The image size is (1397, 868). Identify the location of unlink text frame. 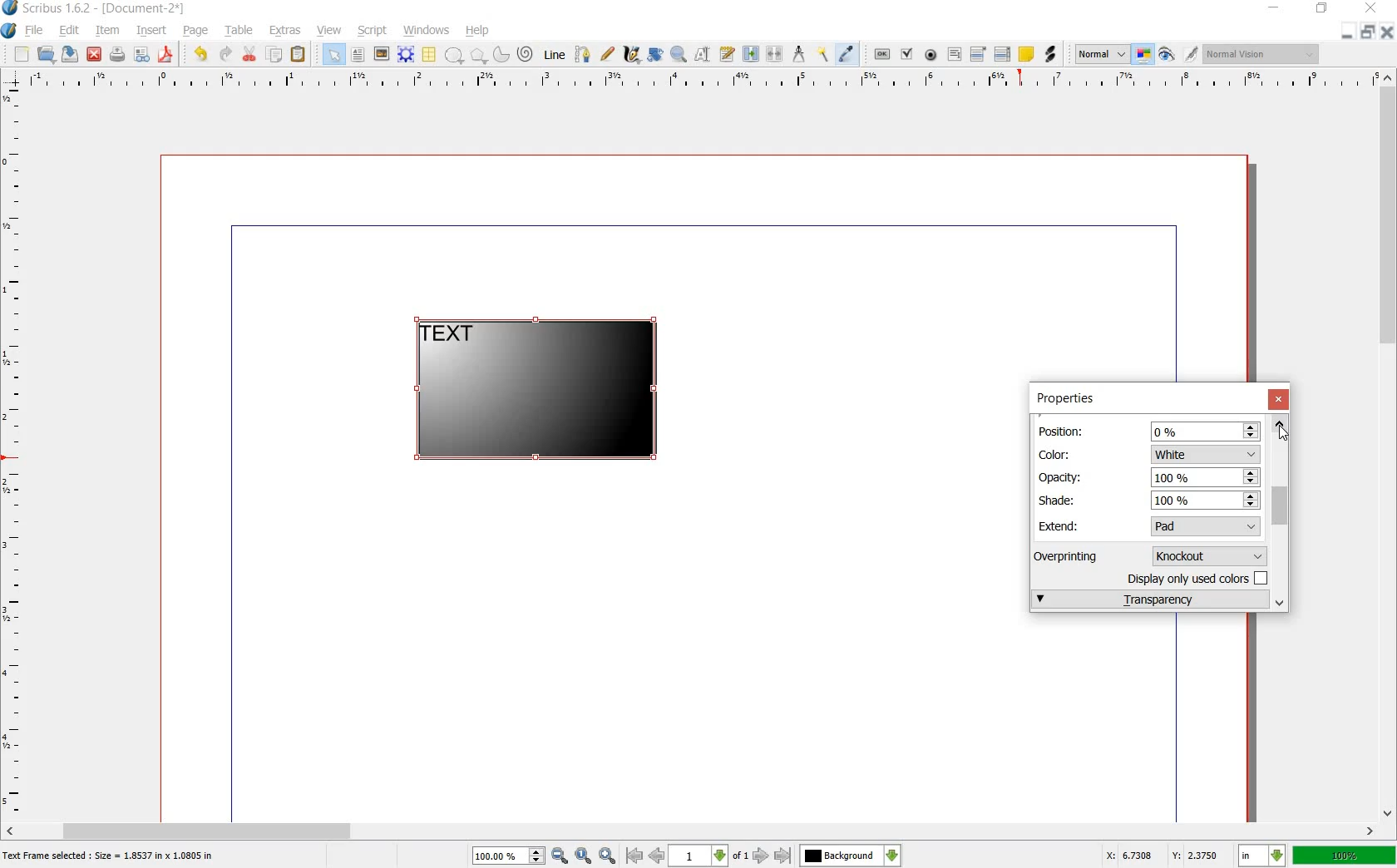
(776, 55).